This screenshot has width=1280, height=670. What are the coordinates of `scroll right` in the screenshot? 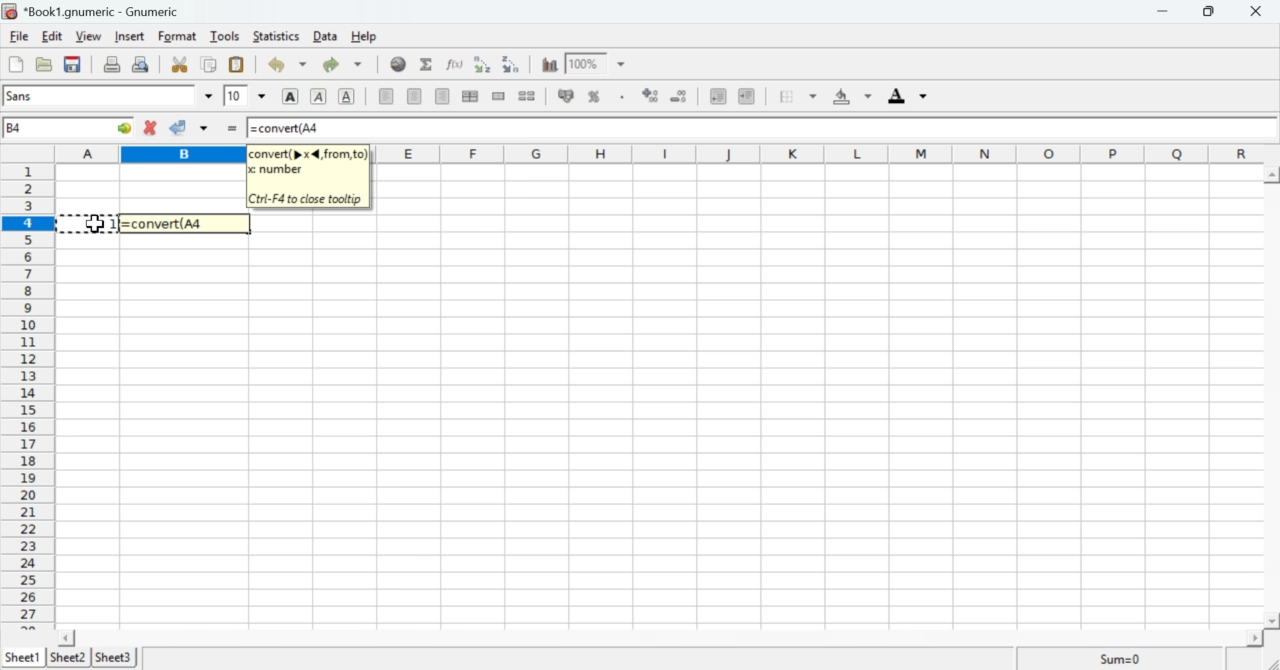 It's located at (1255, 638).